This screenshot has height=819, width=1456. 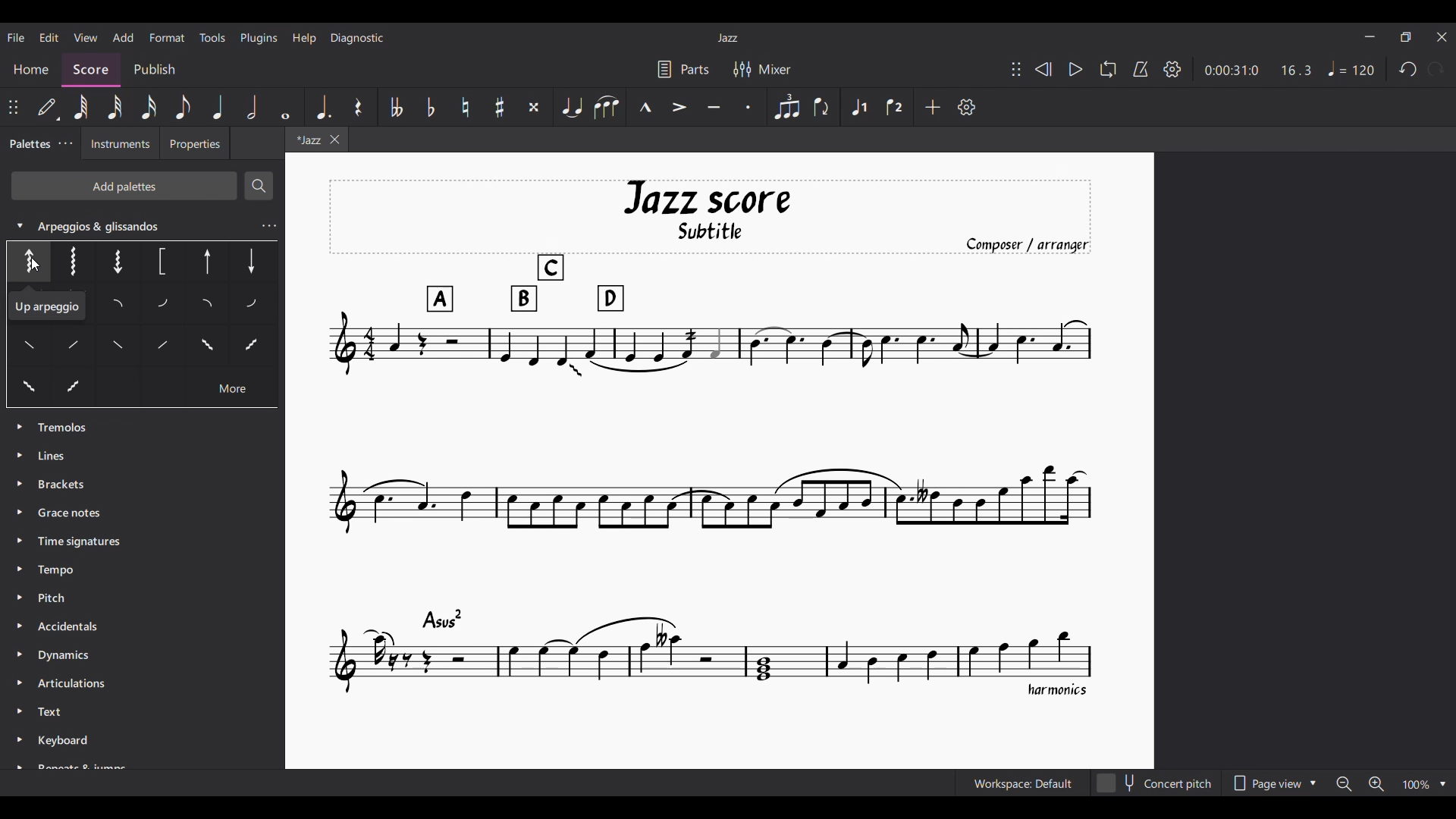 What do you see at coordinates (156, 67) in the screenshot?
I see `Publish` at bounding box center [156, 67].